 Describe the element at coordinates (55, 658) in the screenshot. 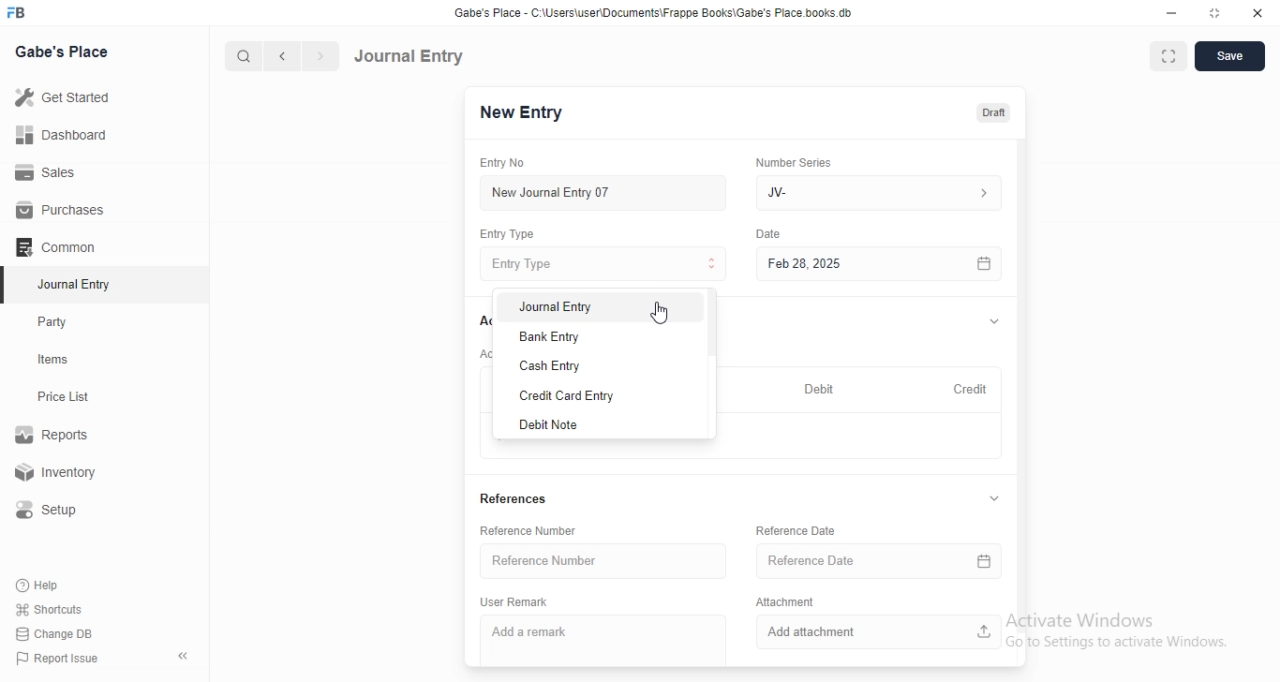

I see `‘Report Issue` at that location.